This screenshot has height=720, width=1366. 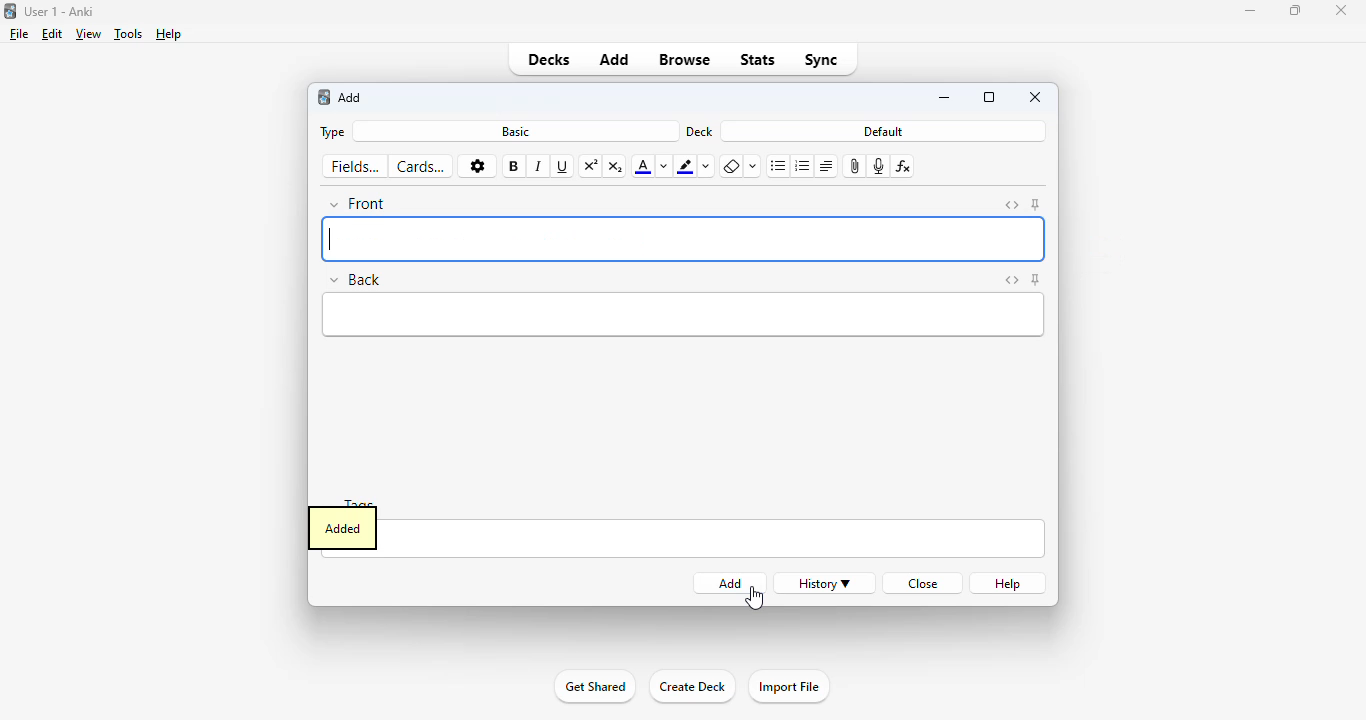 I want to click on add, so click(x=324, y=98).